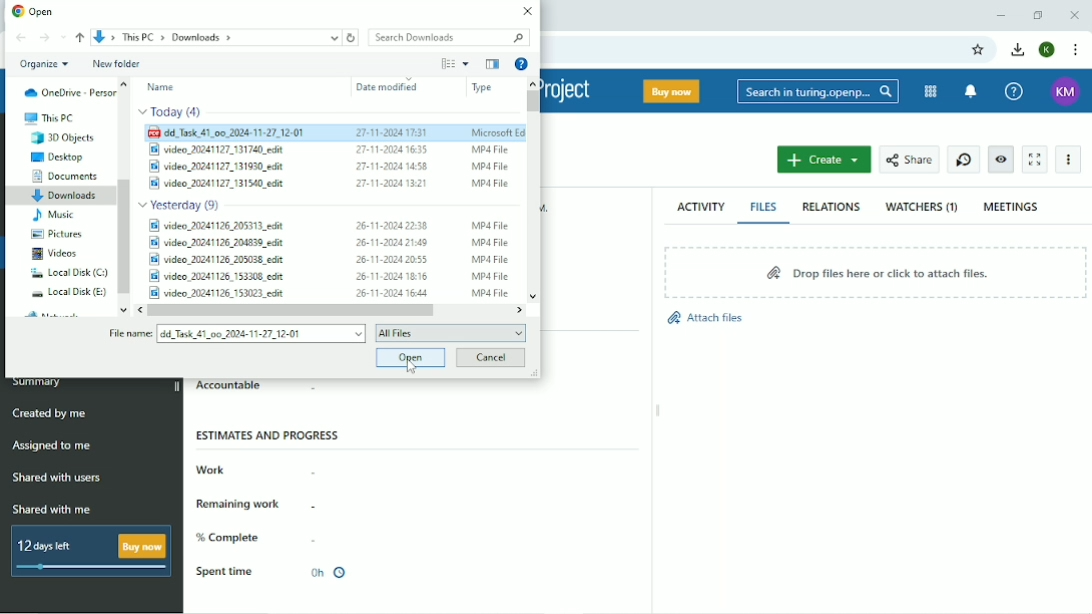  What do you see at coordinates (1012, 207) in the screenshot?
I see `Meetings` at bounding box center [1012, 207].